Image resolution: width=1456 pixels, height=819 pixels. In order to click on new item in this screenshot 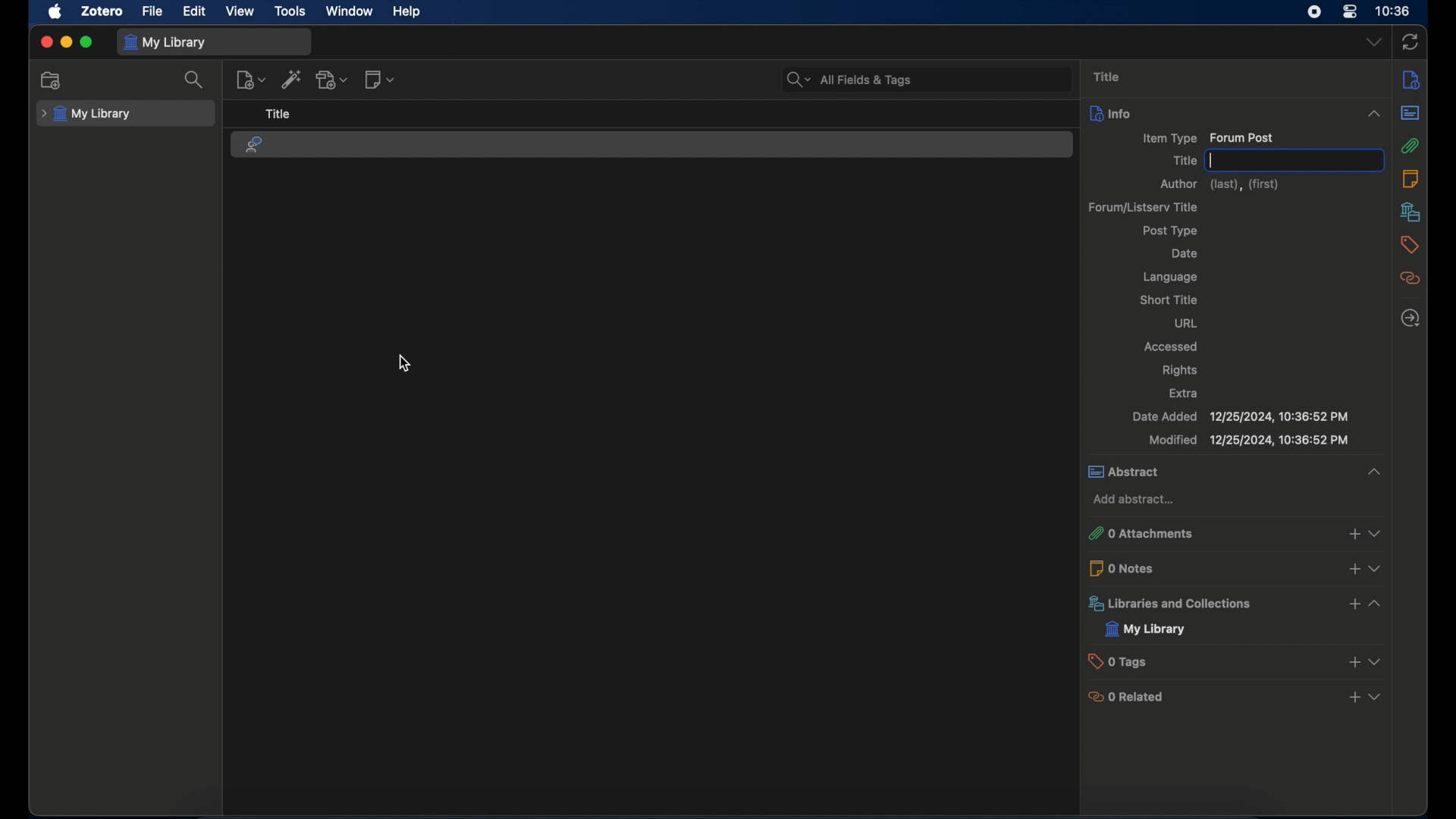, I will do `click(251, 80)`.